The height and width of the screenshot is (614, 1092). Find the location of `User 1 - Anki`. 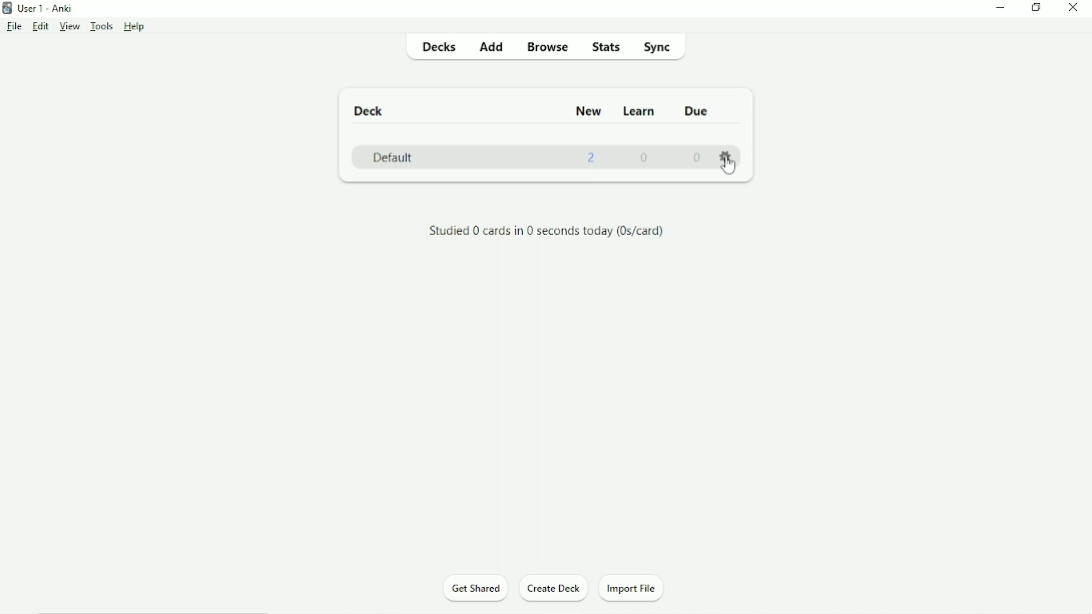

User 1 - Anki is located at coordinates (42, 7).